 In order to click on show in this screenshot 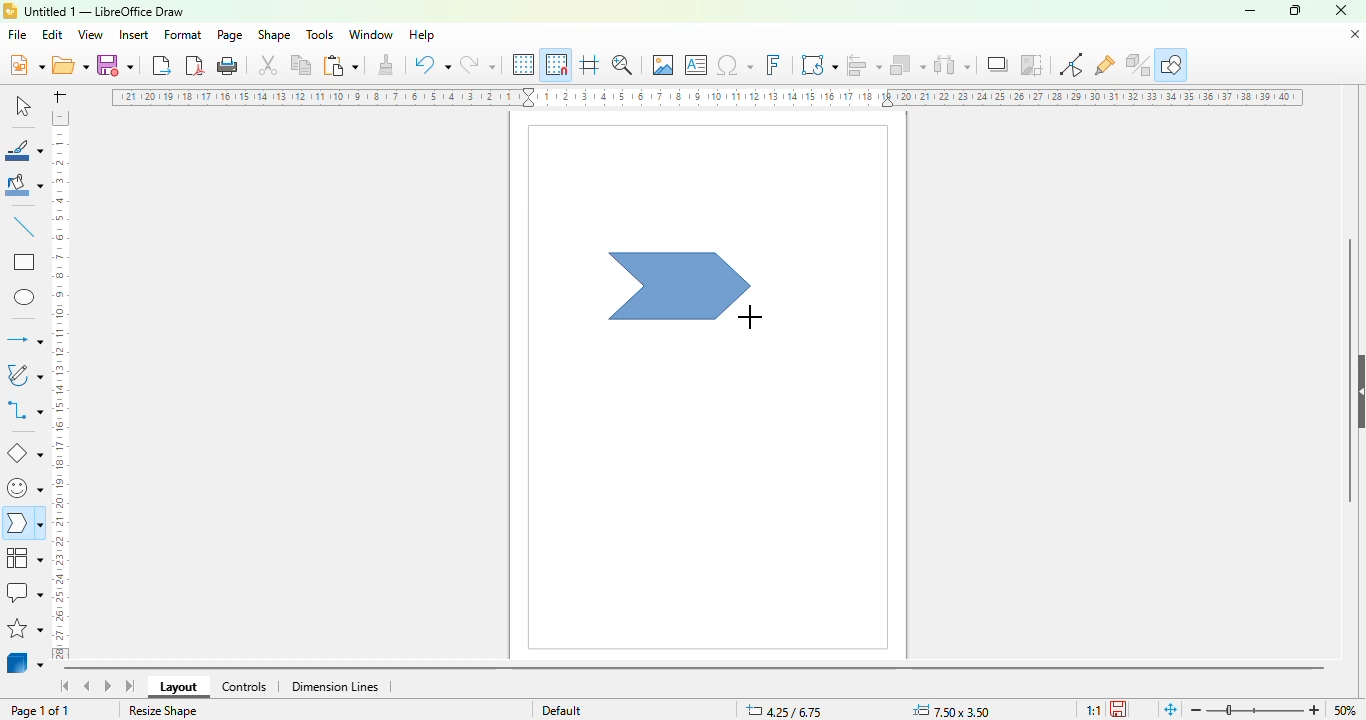, I will do `click(1357, 392)`.